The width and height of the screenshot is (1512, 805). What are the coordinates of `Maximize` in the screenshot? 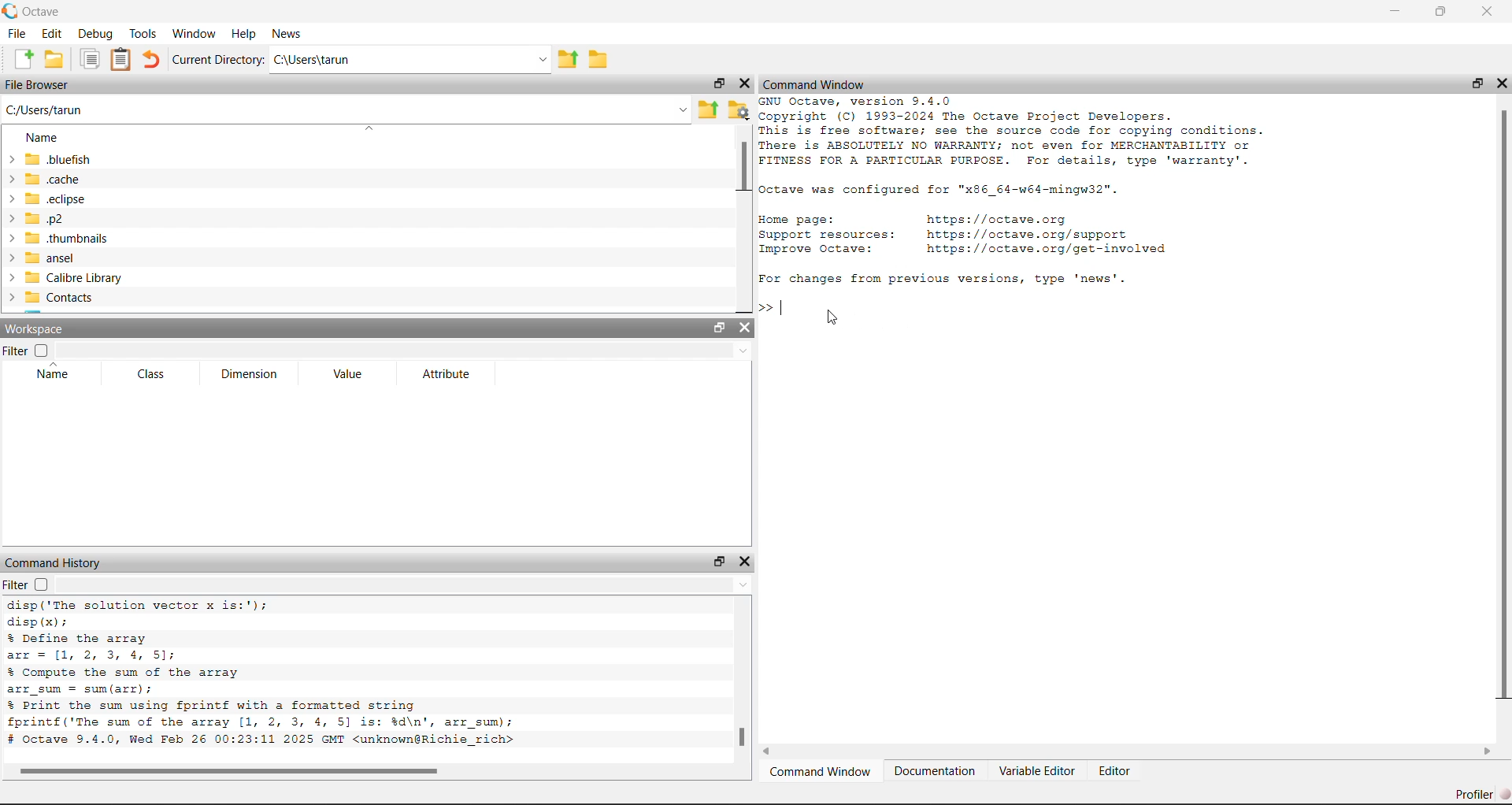 It's located at (716, 86).